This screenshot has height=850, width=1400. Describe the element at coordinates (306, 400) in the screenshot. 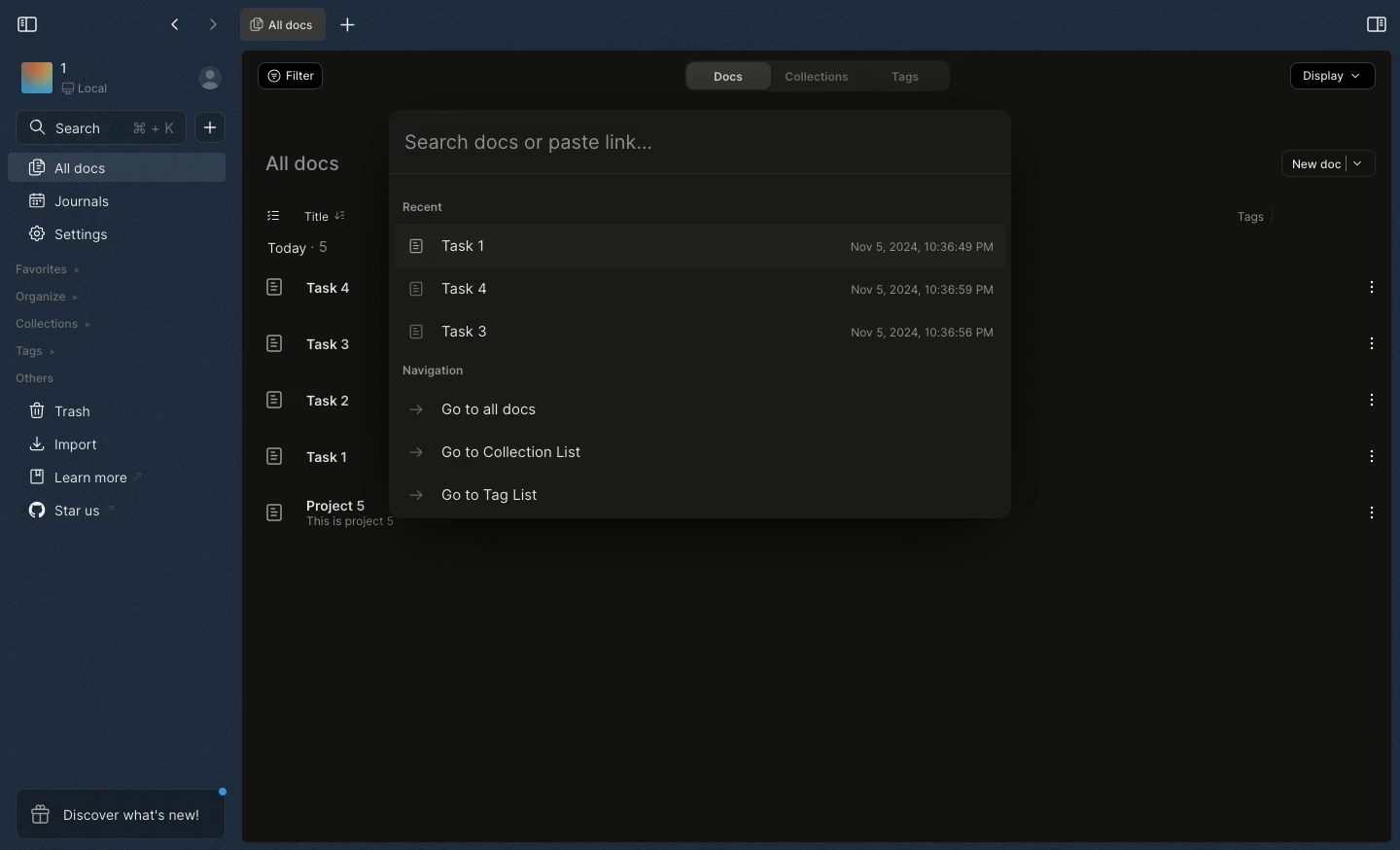

I see `Task 2` at that location.